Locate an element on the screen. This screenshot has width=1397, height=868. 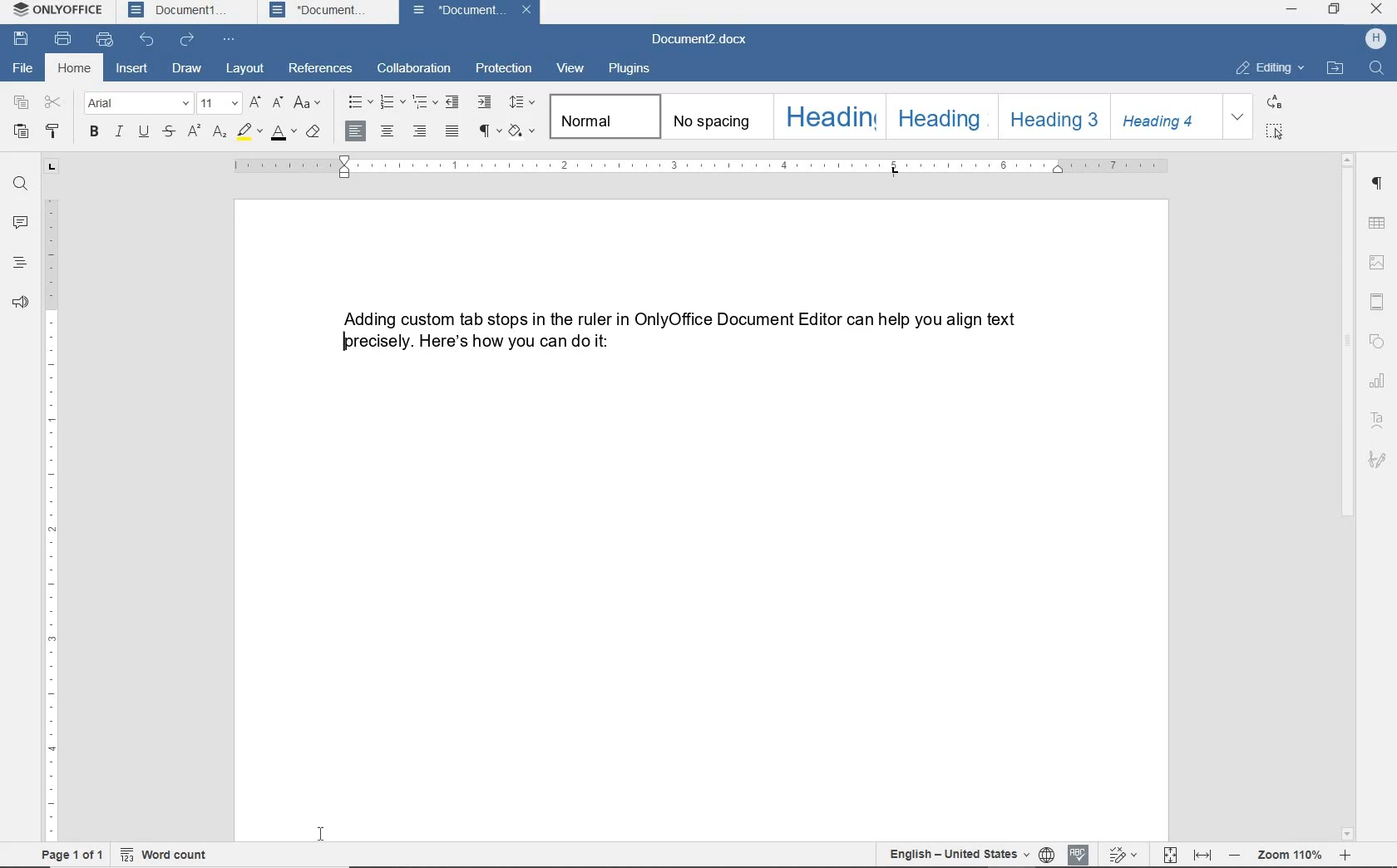
copy is located at coordinates (22, 101).